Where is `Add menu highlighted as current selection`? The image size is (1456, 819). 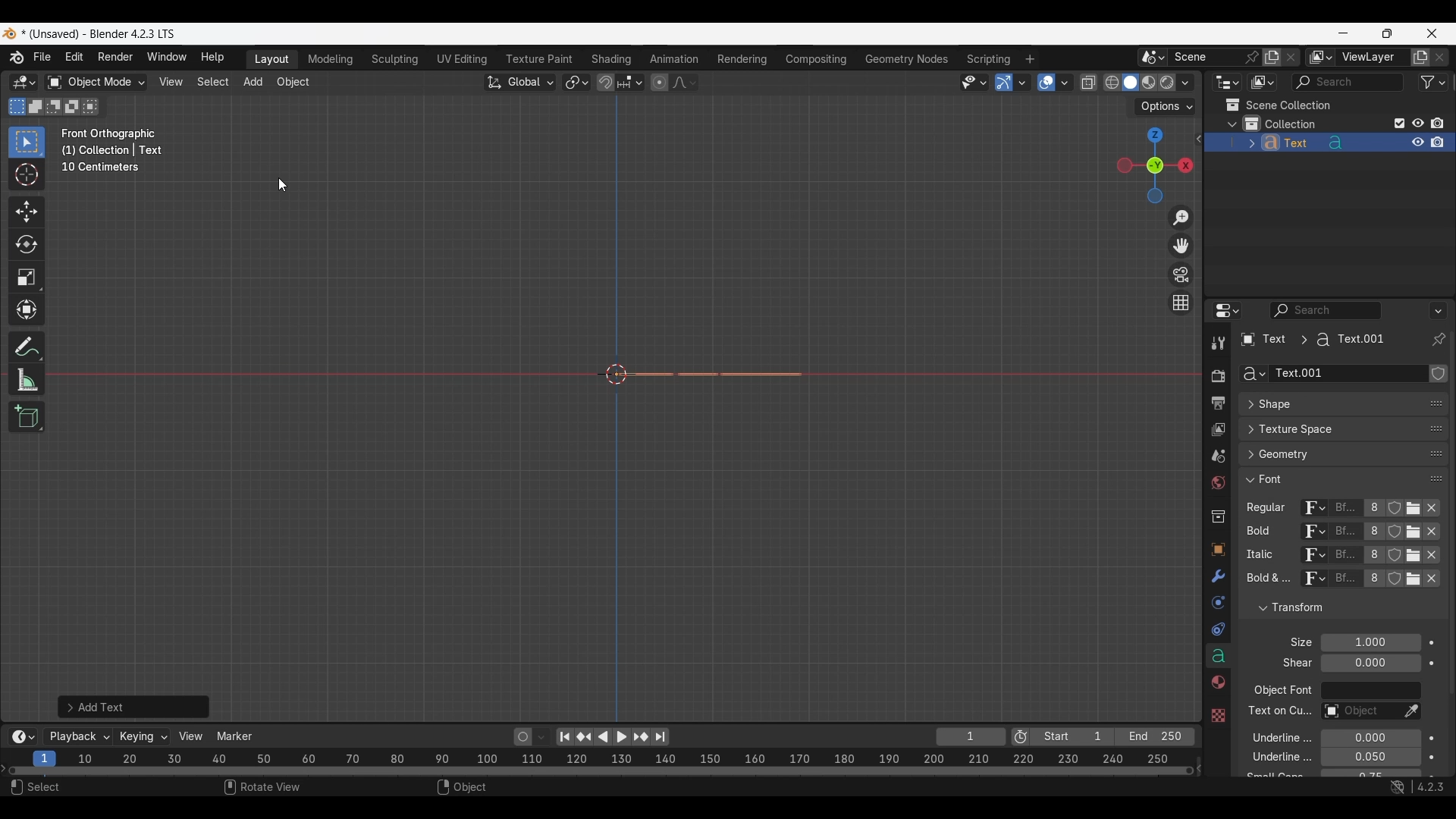
Add menu highlighted as current selection is located at coordinates (253, 83).